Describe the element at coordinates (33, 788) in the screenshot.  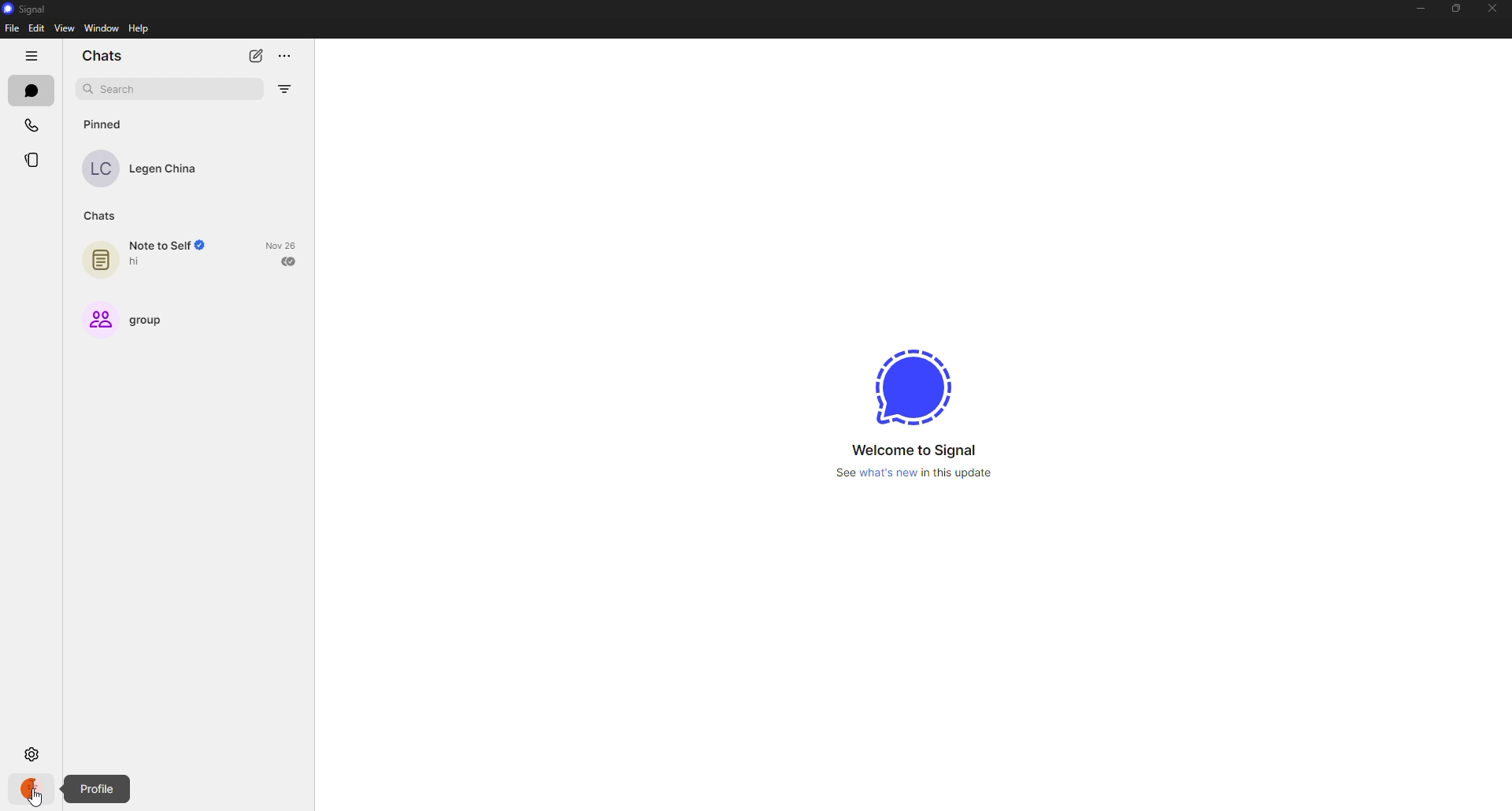
I see `profile` at that location.